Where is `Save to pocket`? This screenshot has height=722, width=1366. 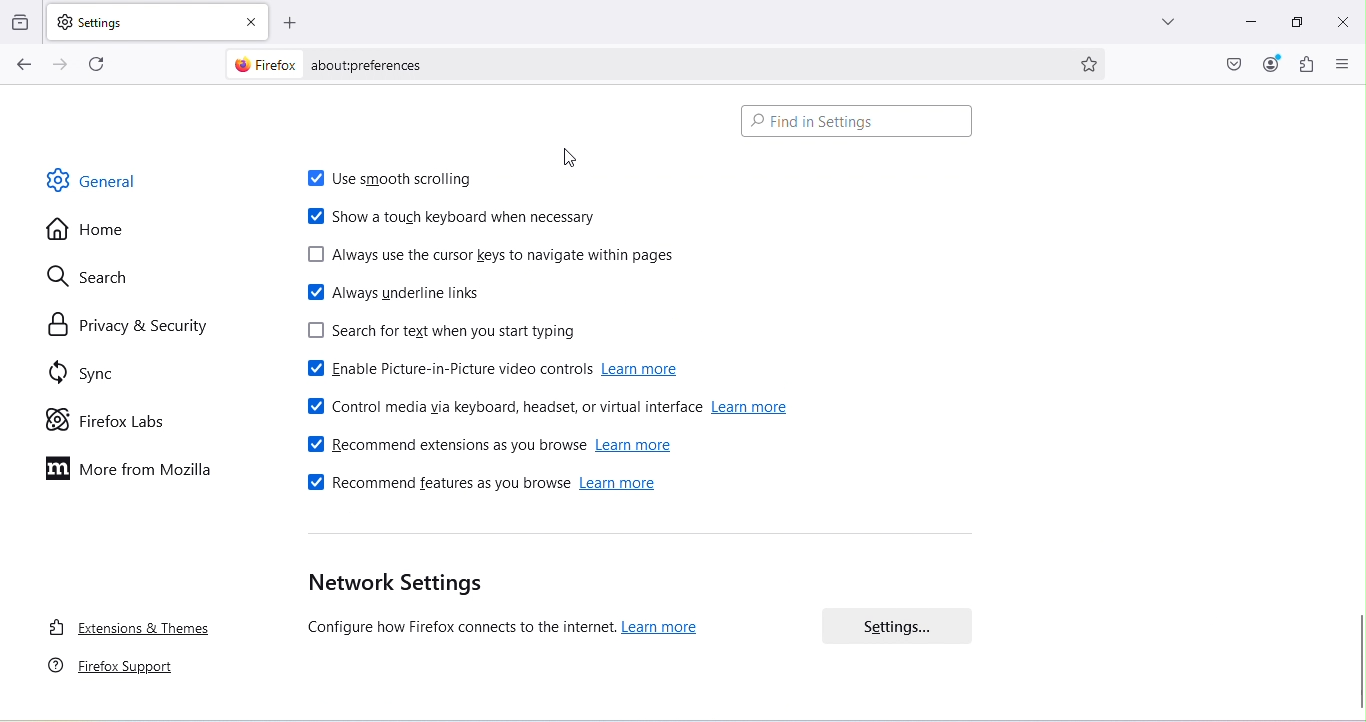
Save to pocket is located at coordinates (1235, 65).